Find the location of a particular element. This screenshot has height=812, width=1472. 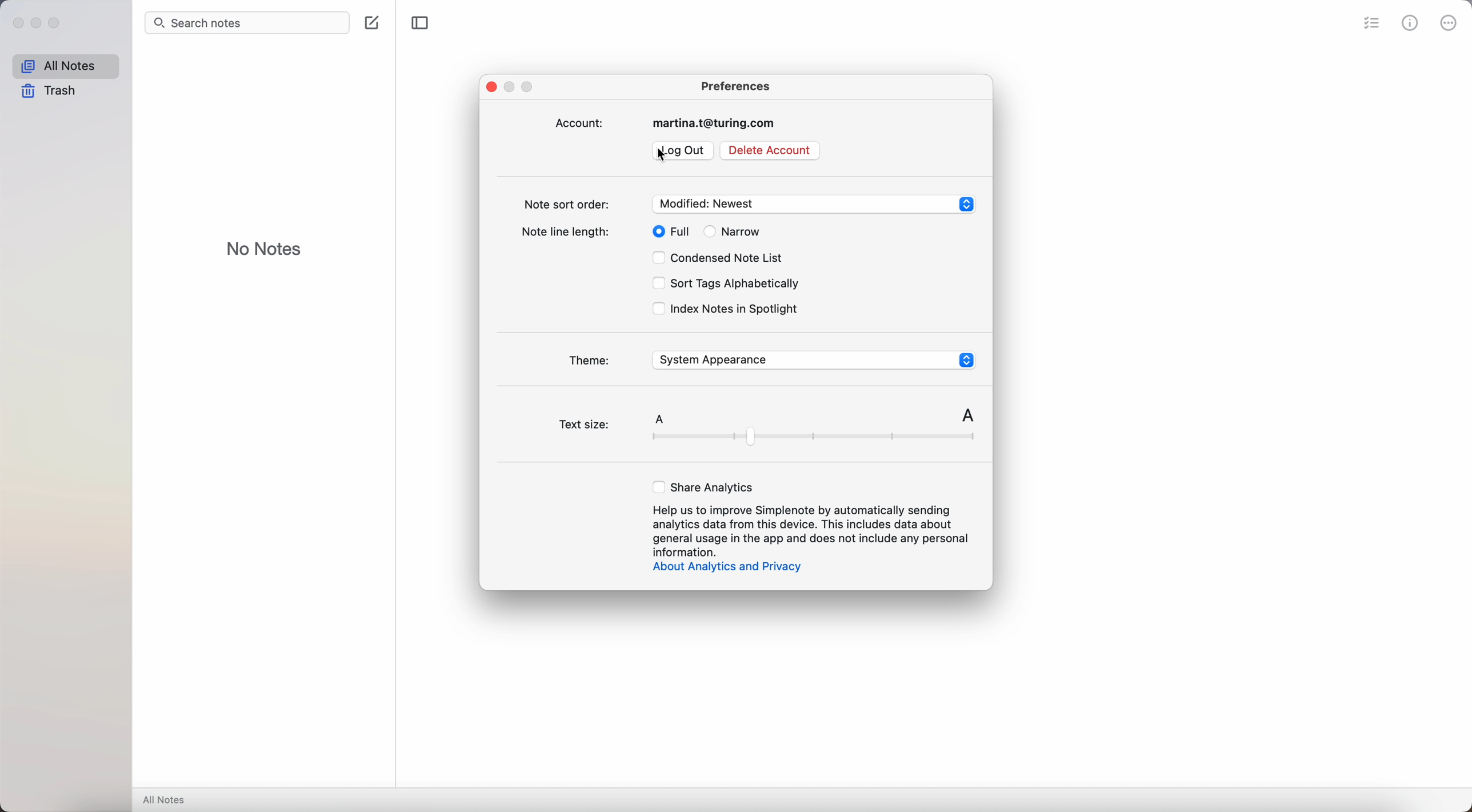

close Simplenote is located at coordinates (18, 23).